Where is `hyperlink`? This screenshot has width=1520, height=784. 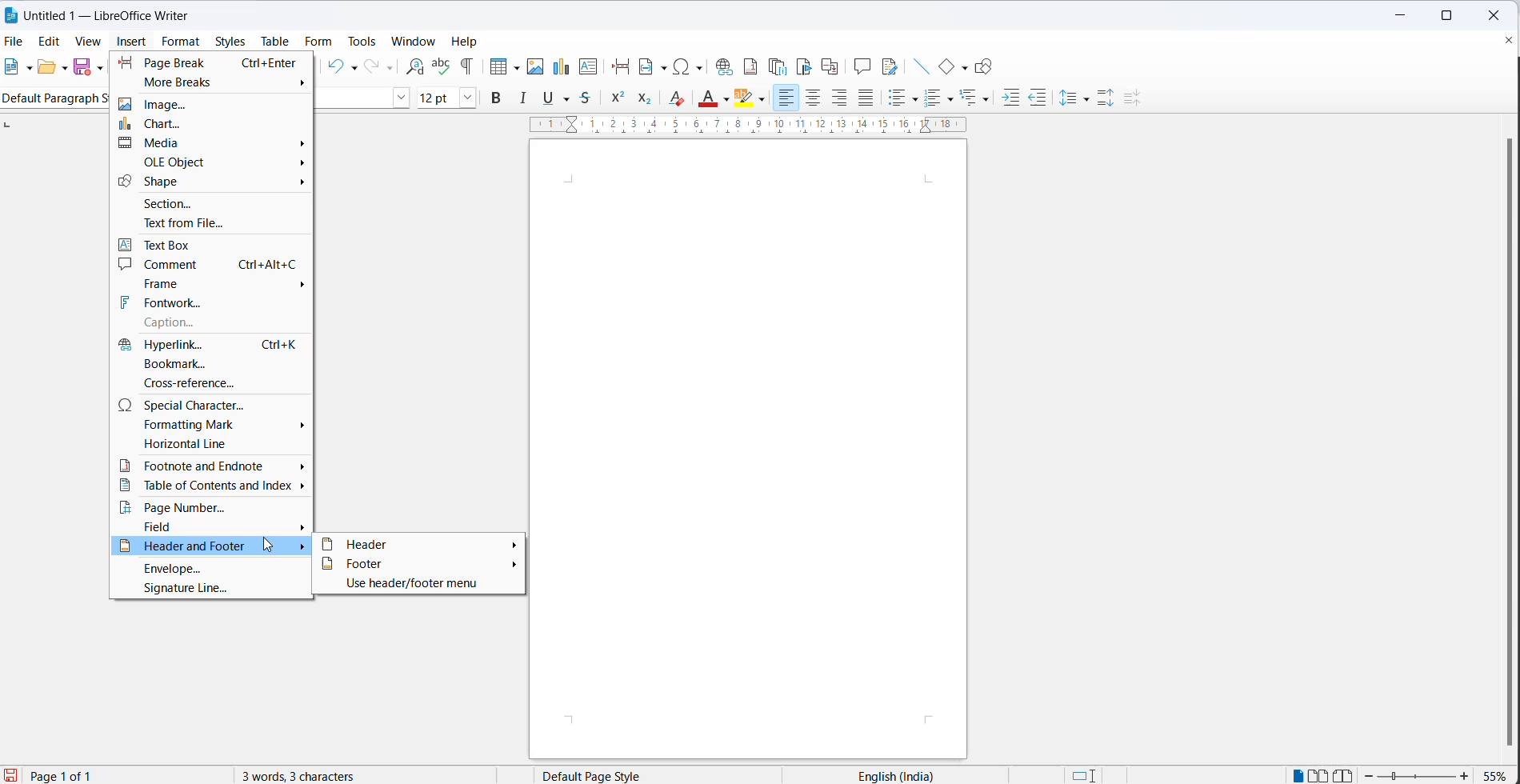
hyperlink is located at coordinates (209, 345).